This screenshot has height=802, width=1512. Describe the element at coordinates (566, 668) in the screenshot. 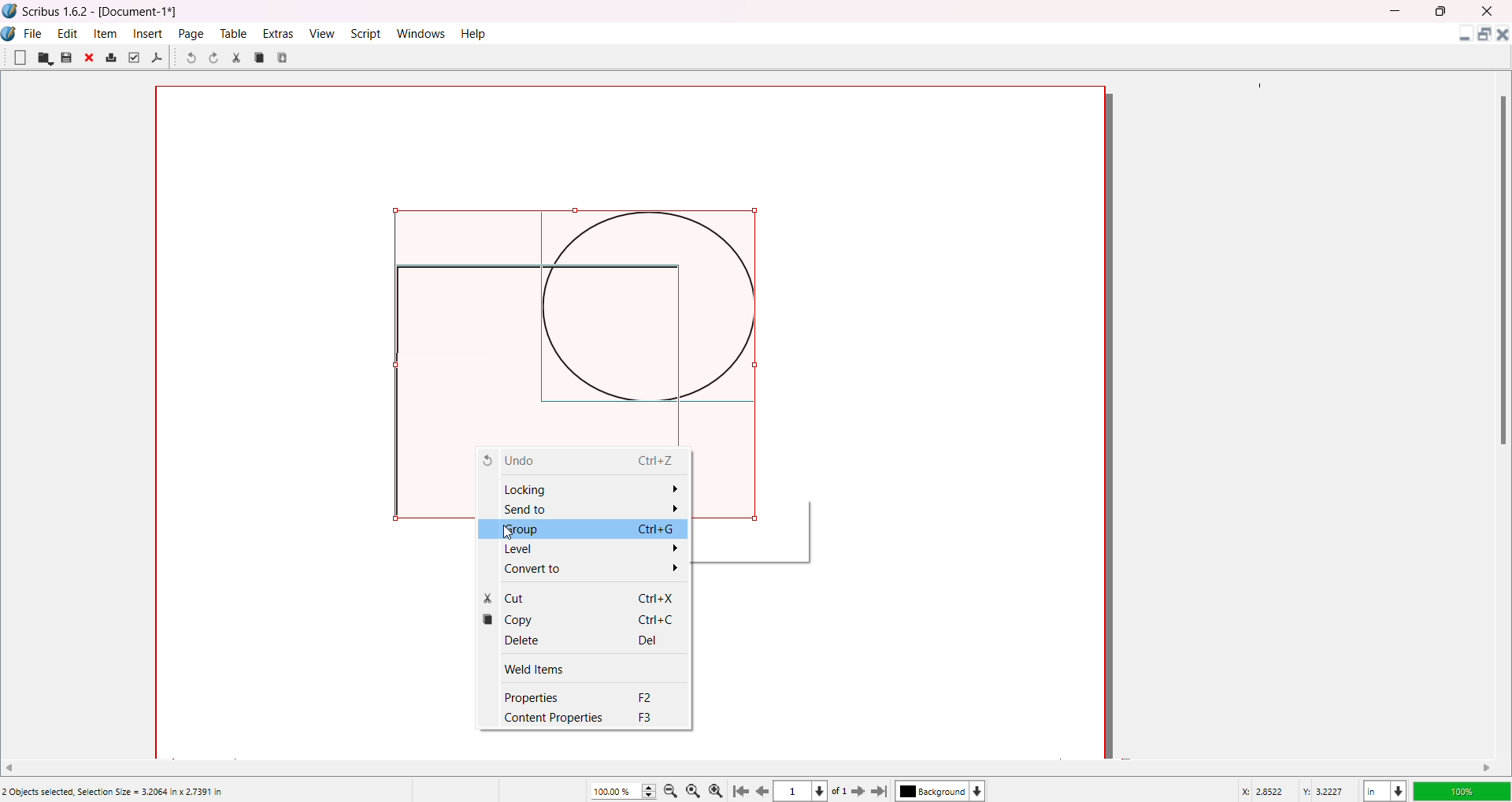

I see `Weld Items` at that location.